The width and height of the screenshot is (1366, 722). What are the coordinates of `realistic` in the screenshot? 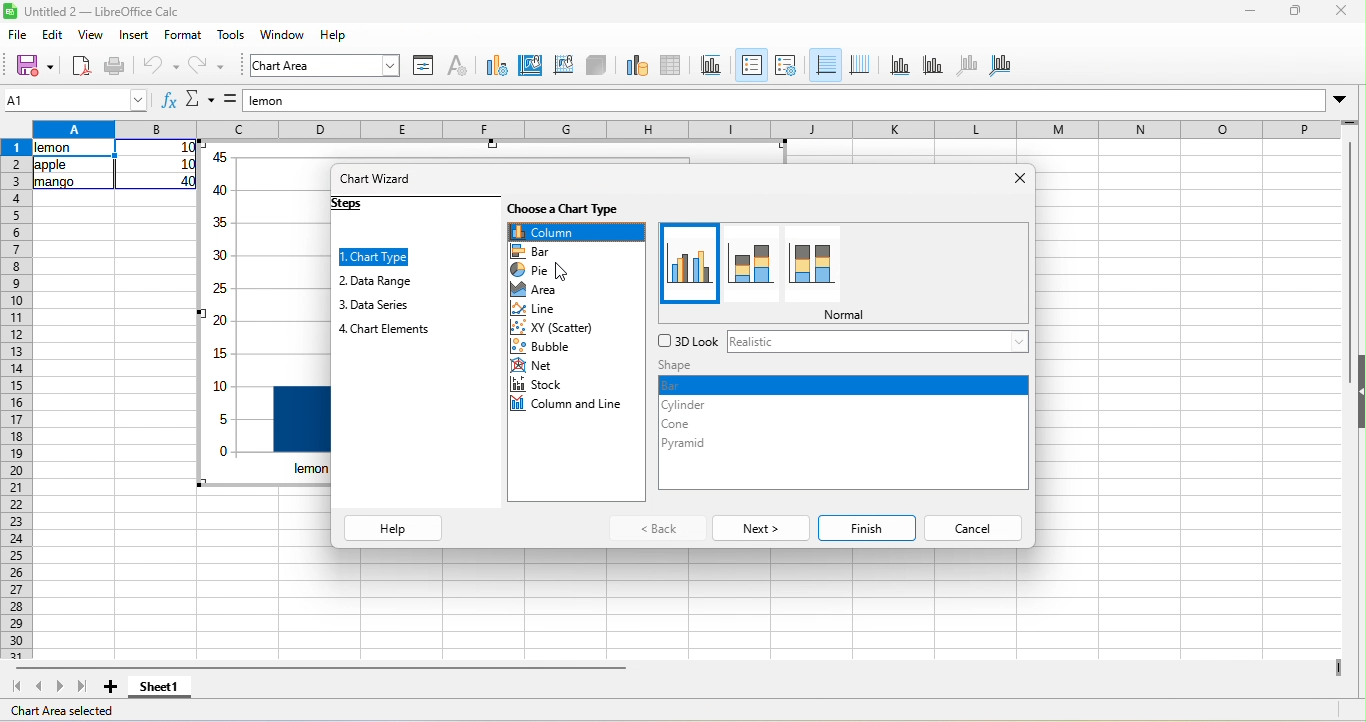 It's located at (757, 343).